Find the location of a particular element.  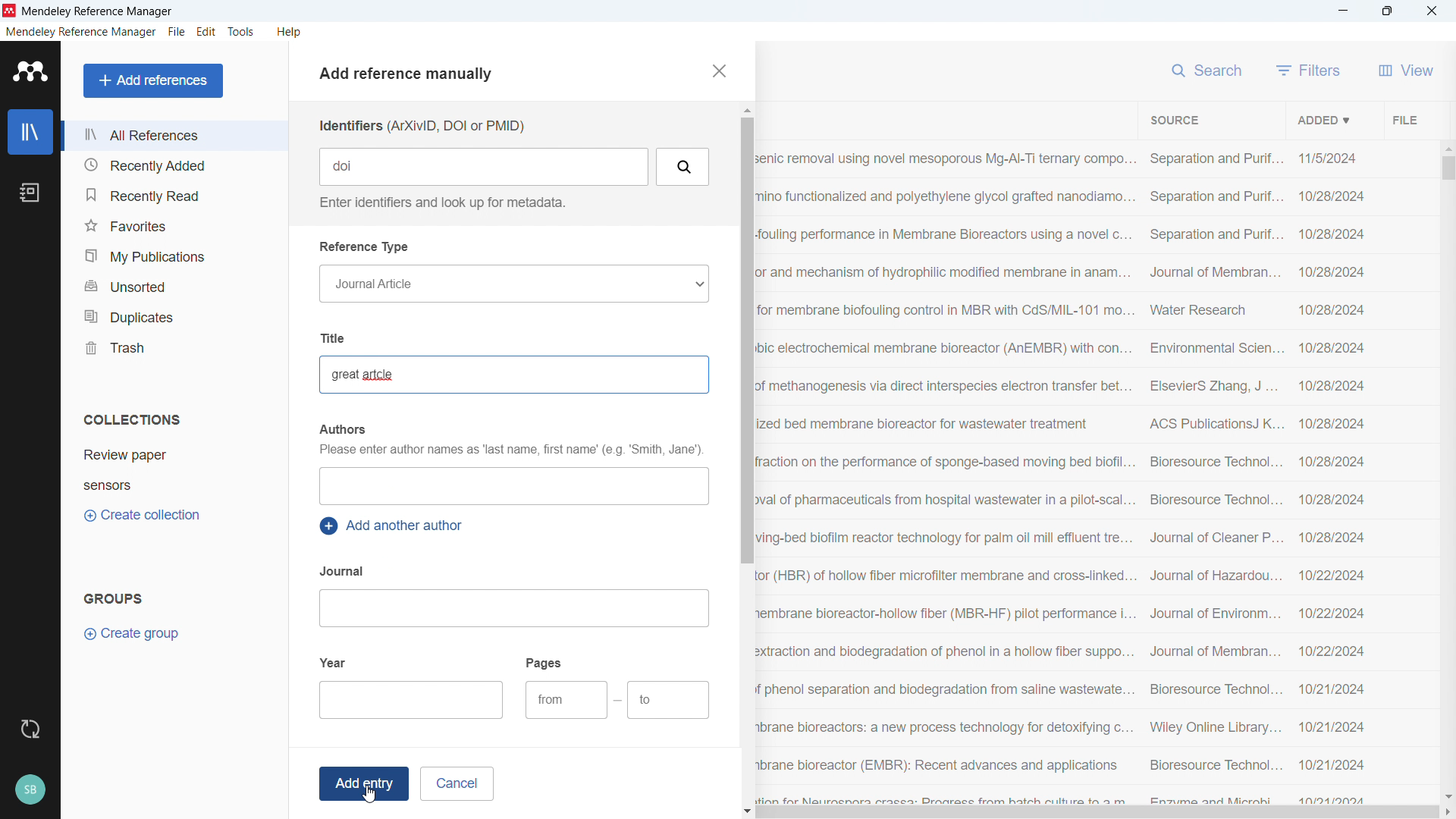

close pane is located at coordinates (717, 71).